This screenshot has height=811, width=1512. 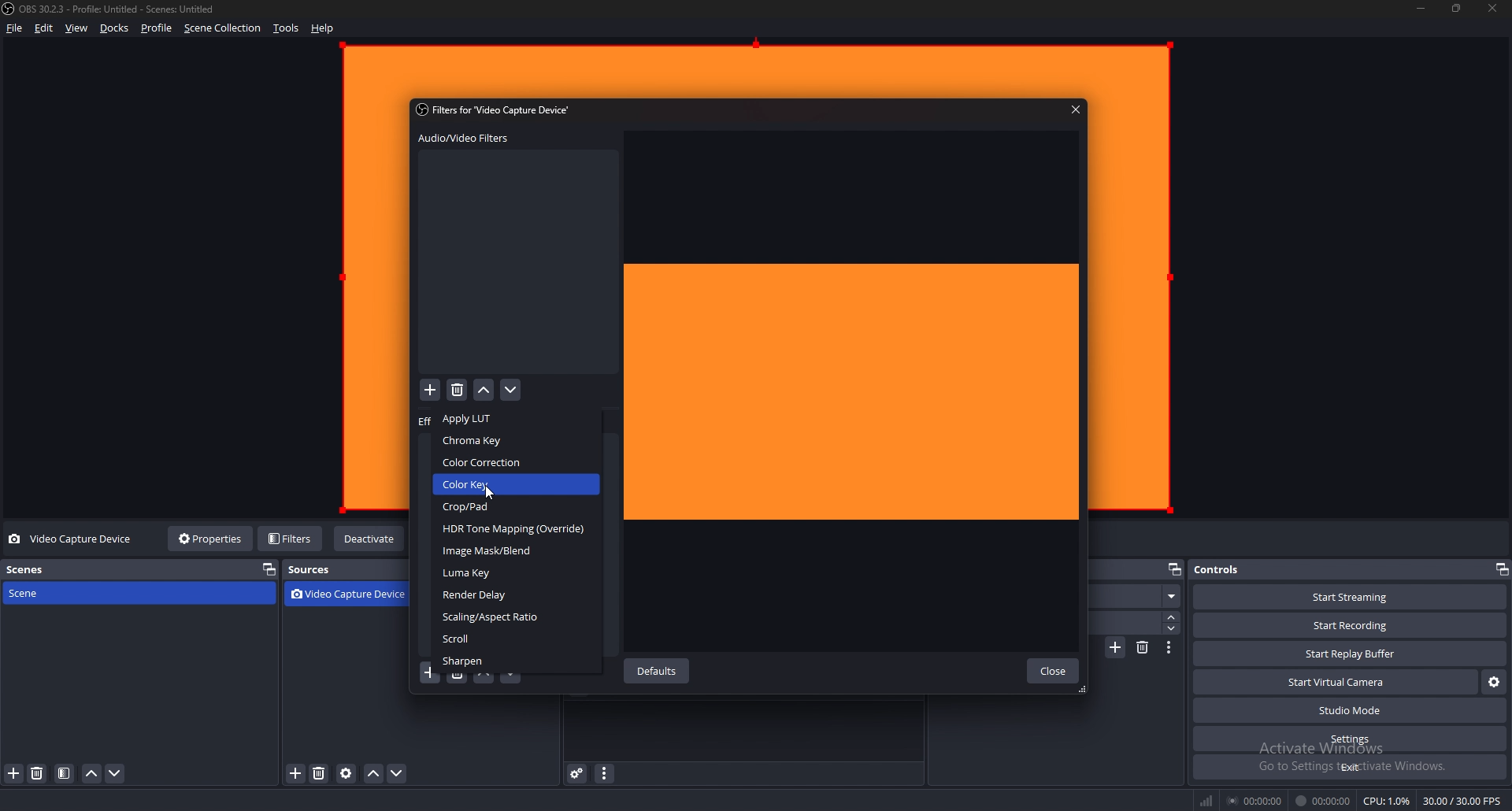 I want to click on preview, so click(x=855, y=391).